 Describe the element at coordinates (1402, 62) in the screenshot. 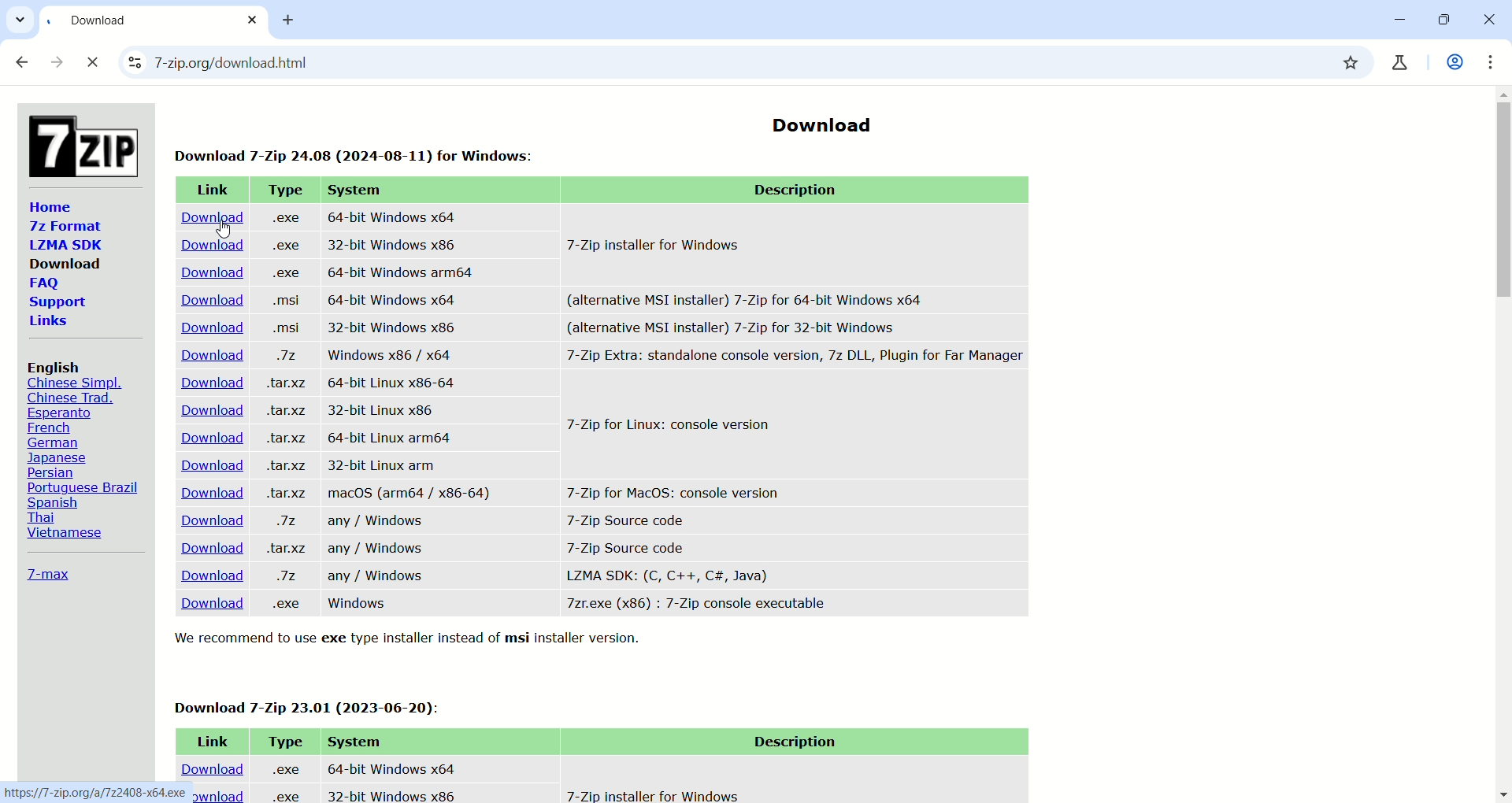

I see `chrome labs` at that location.